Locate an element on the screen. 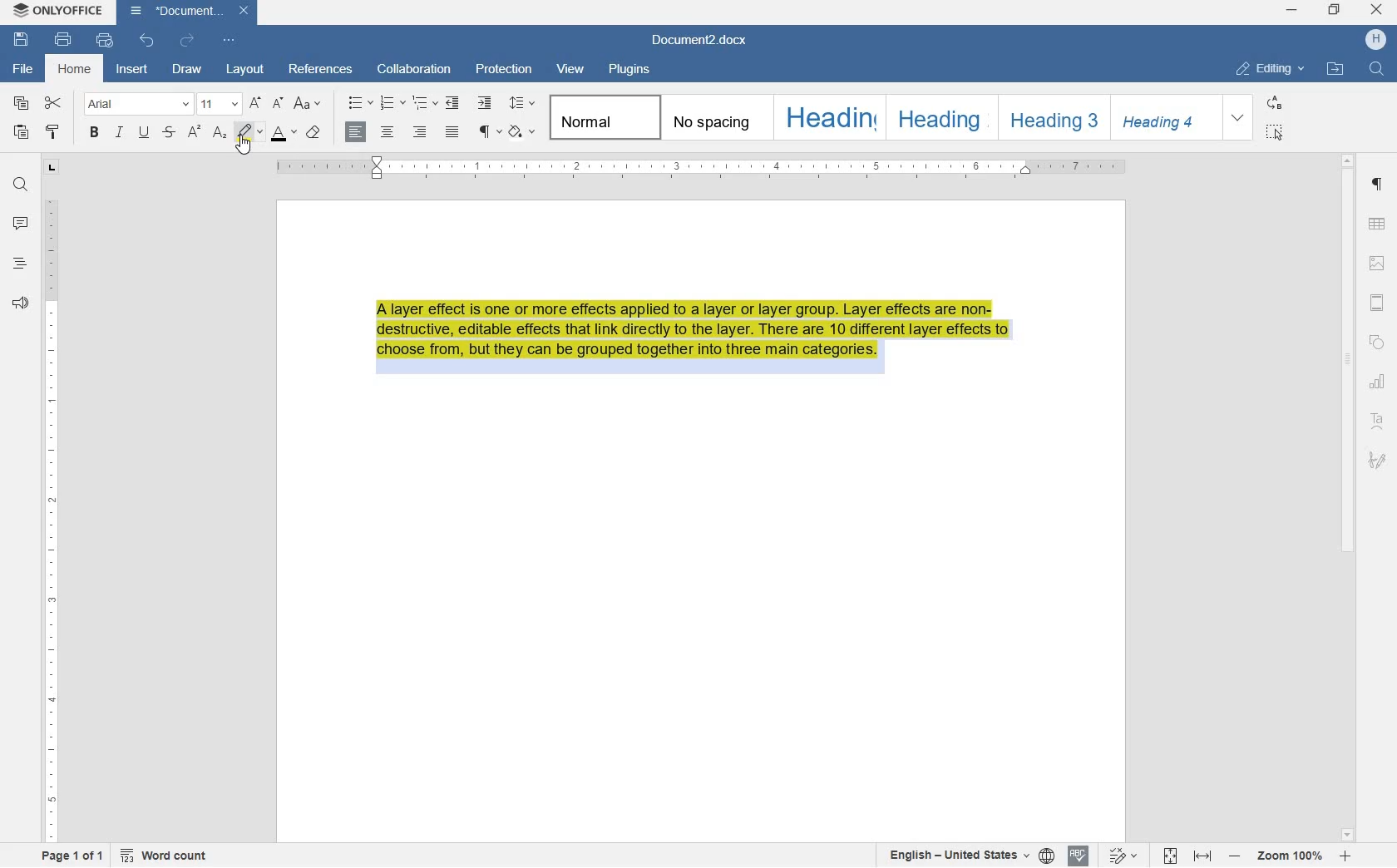 The height and width of the screenshot is (868, 1397). ITALIC is located at coordinates (119, 132).